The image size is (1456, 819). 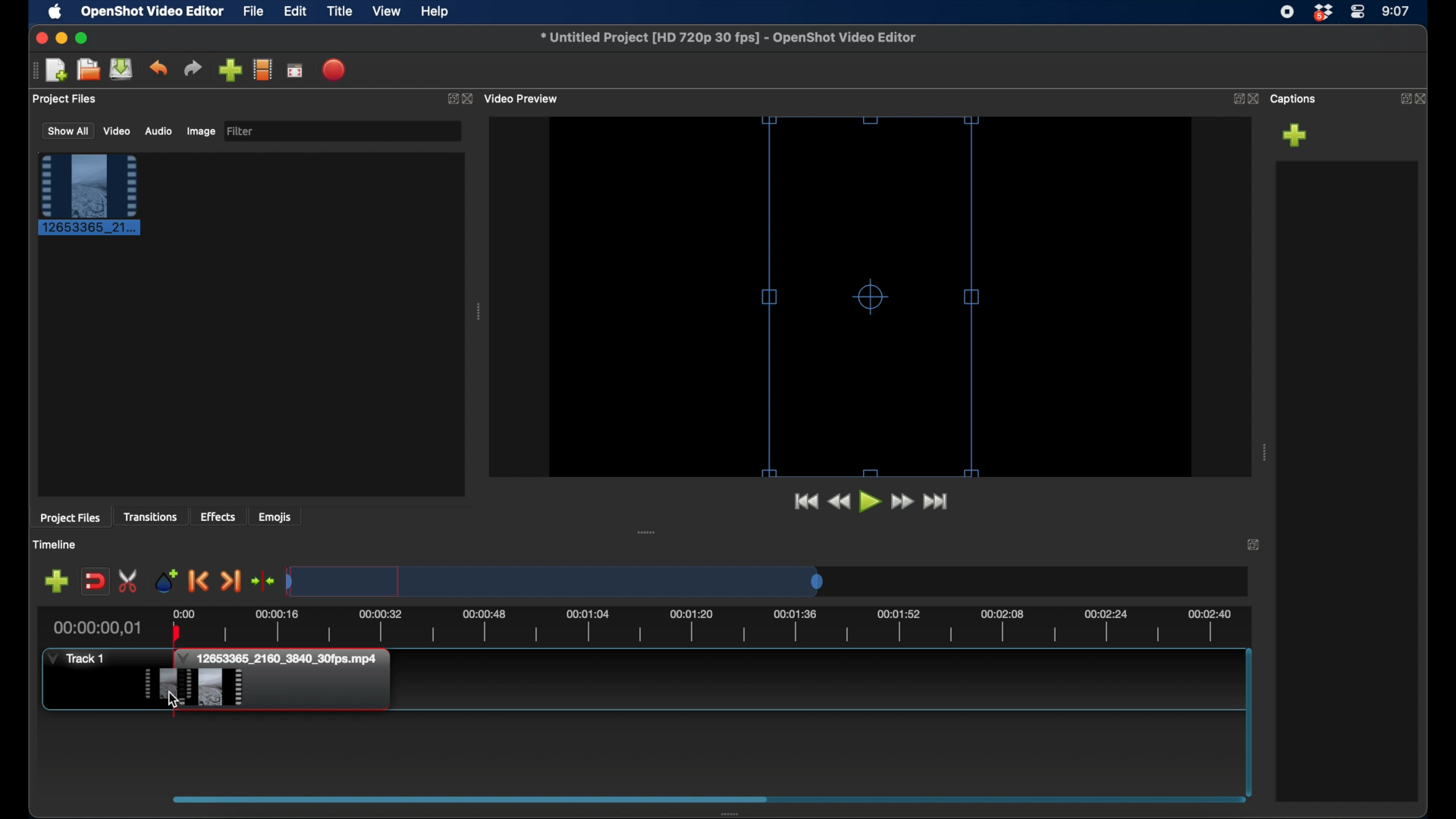 I want to click on close, so click(x=1424, y=97).